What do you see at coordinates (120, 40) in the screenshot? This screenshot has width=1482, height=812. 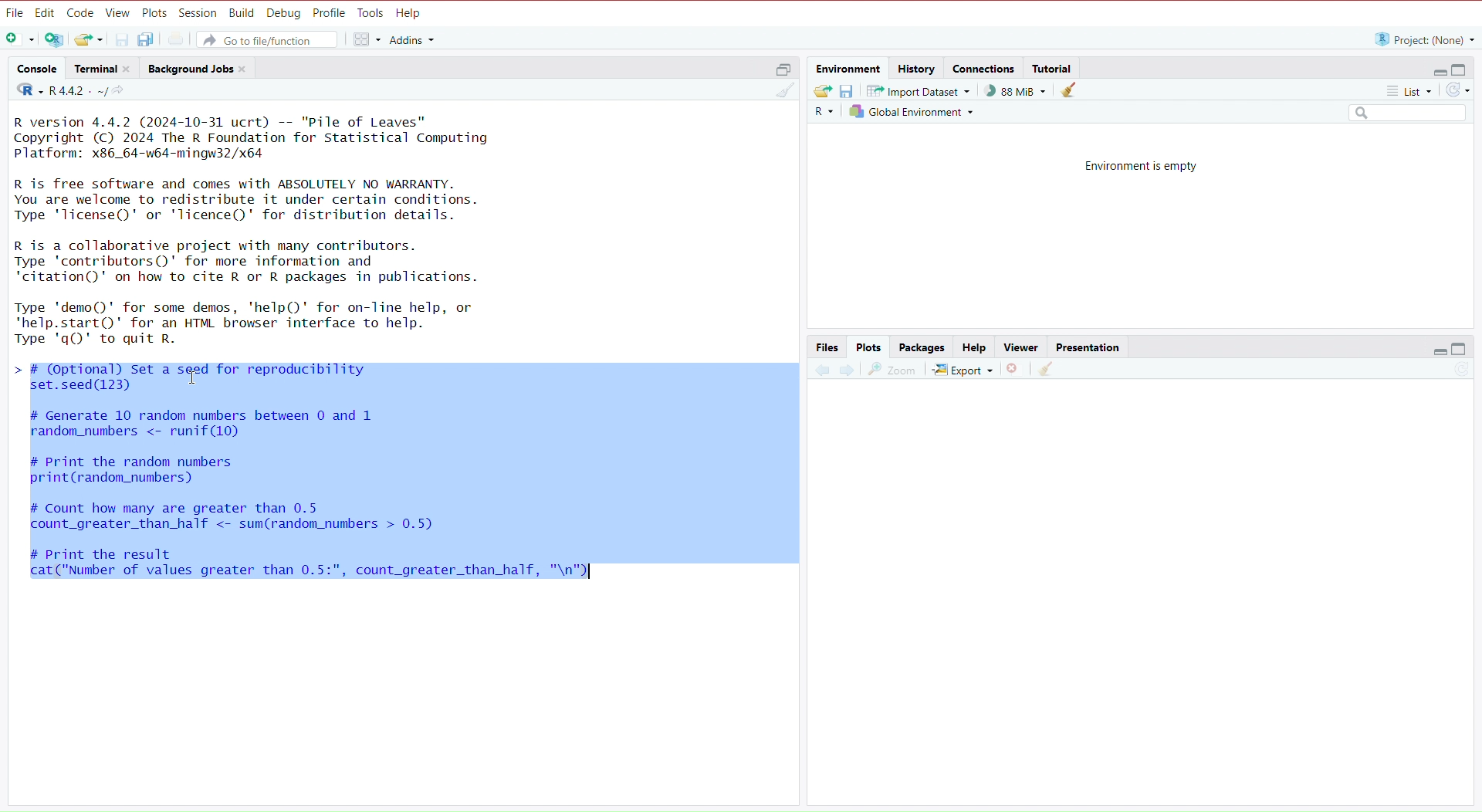 I see `Save current file` at bounding box center [120, 40].